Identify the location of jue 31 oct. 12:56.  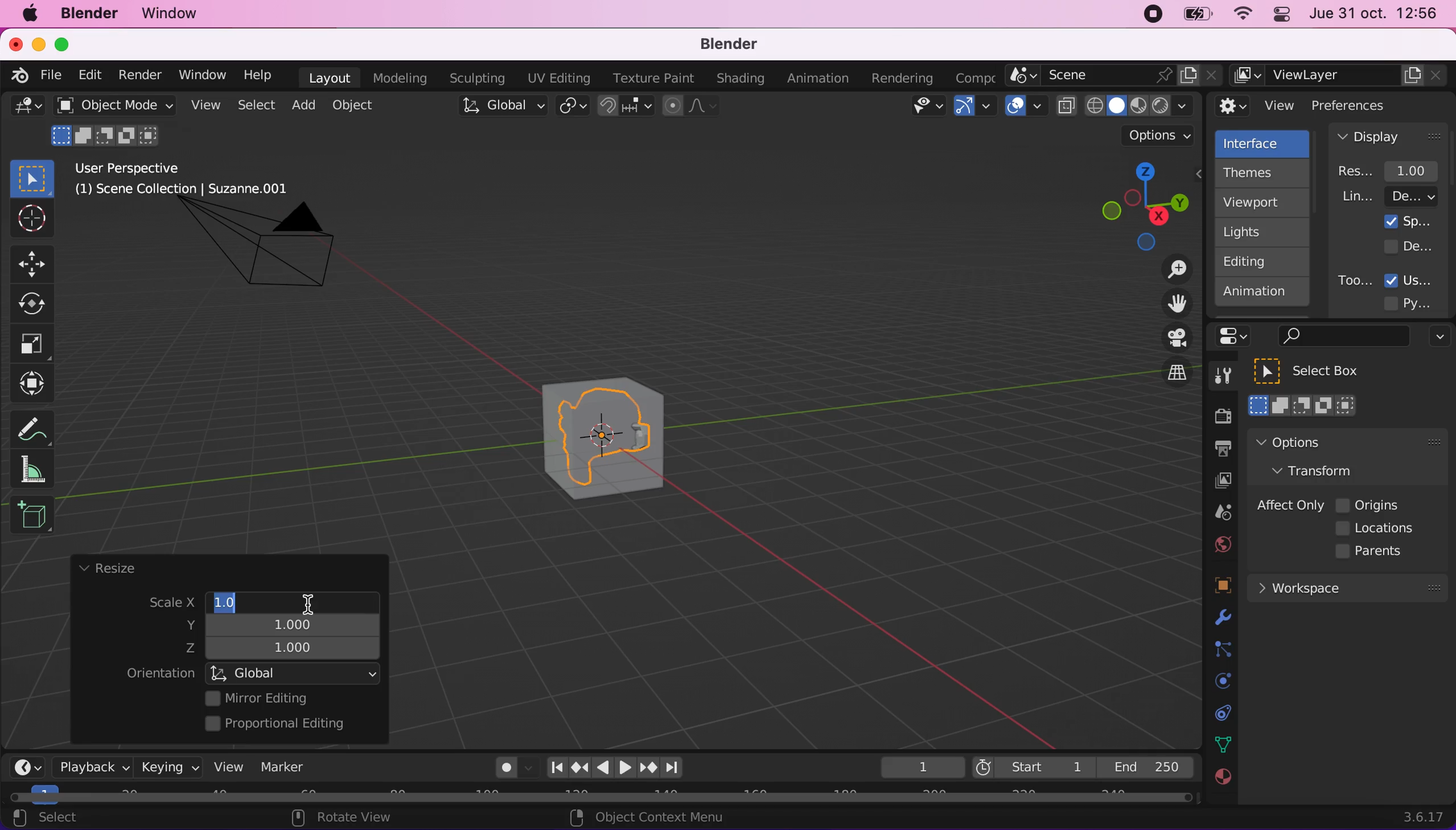
(1374, 14).